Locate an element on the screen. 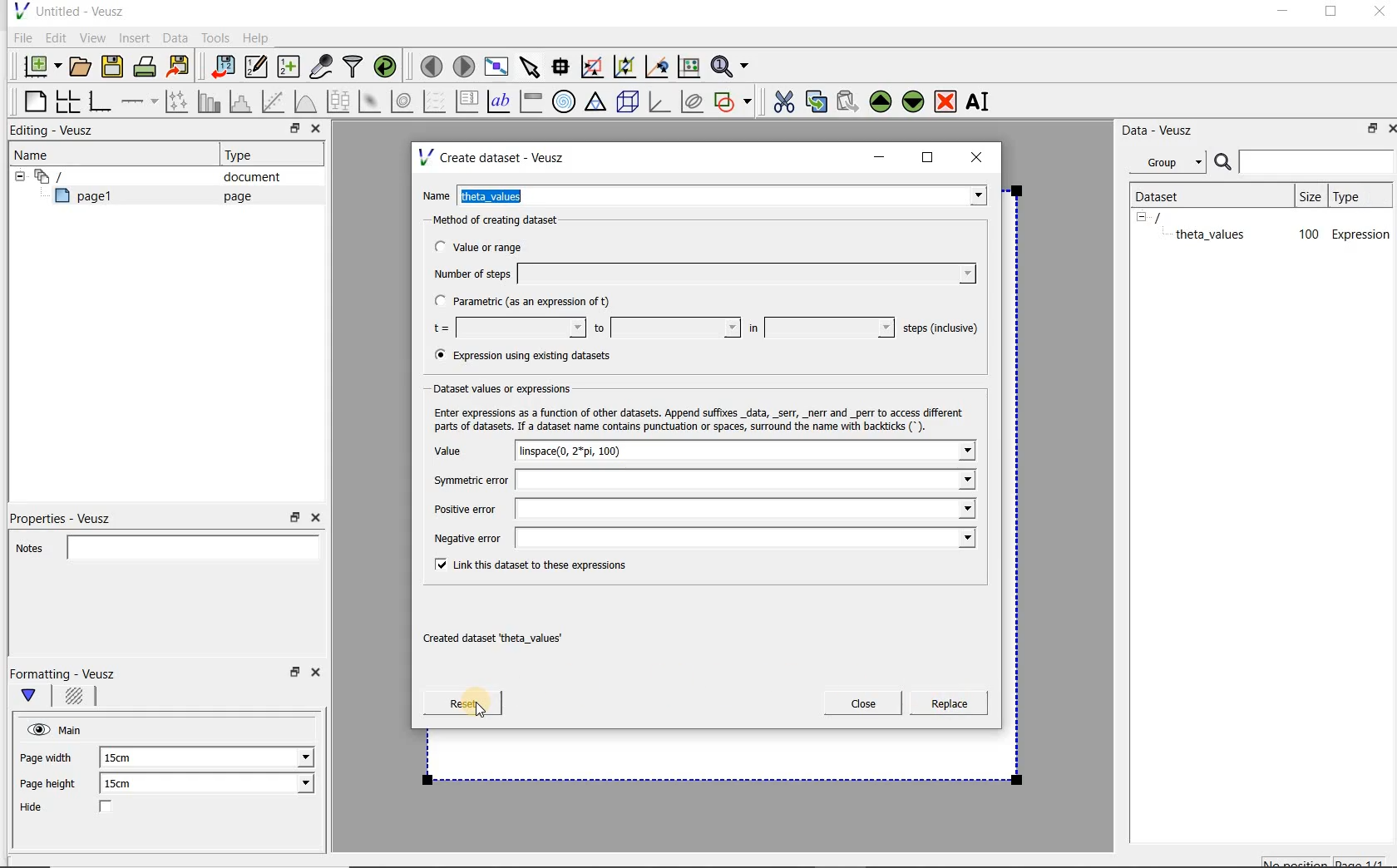  Export to graphics format is located at coordinates (179, 68).